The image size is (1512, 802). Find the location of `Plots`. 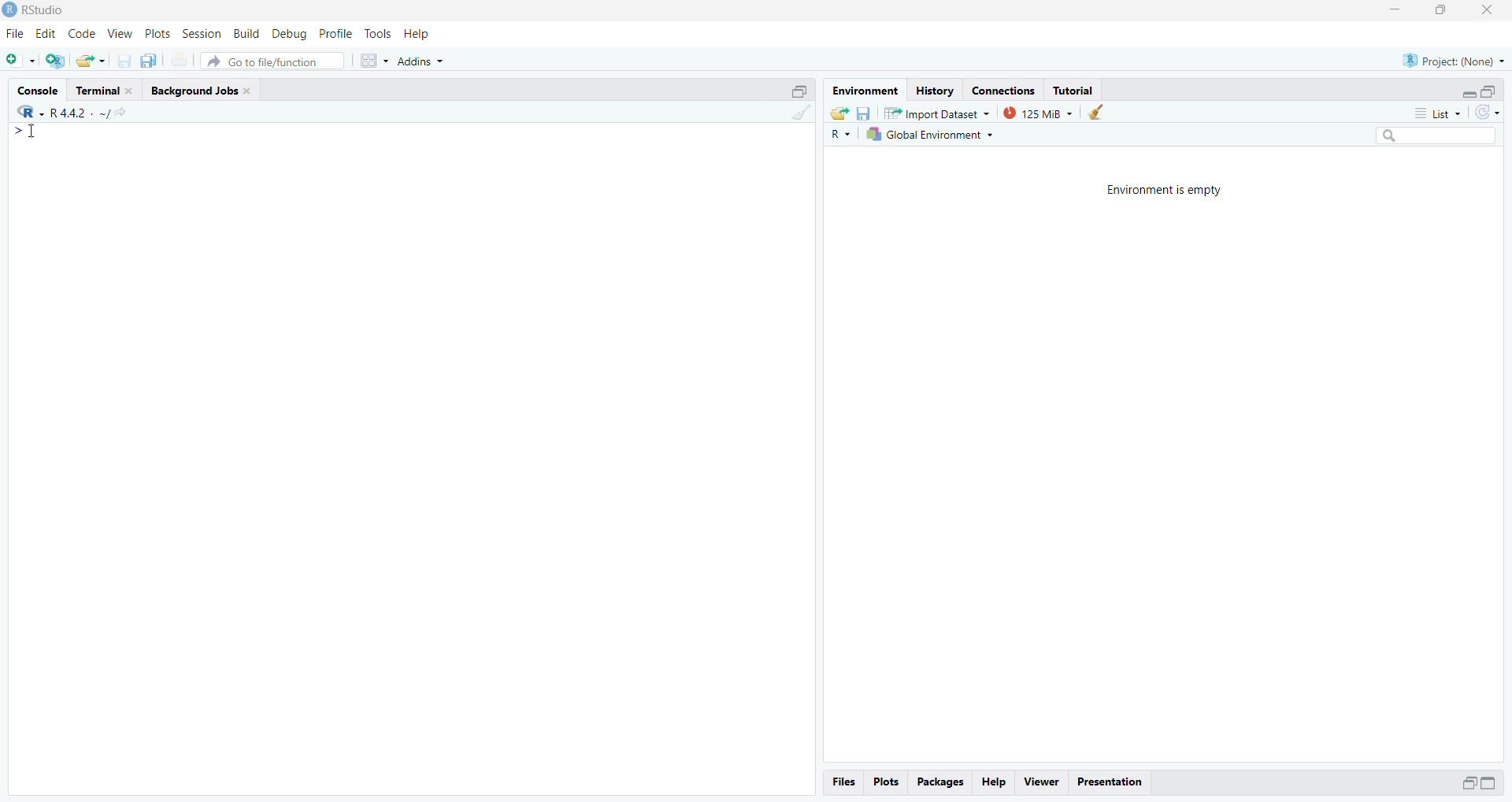

Plots is located at coordinates (884, 782).